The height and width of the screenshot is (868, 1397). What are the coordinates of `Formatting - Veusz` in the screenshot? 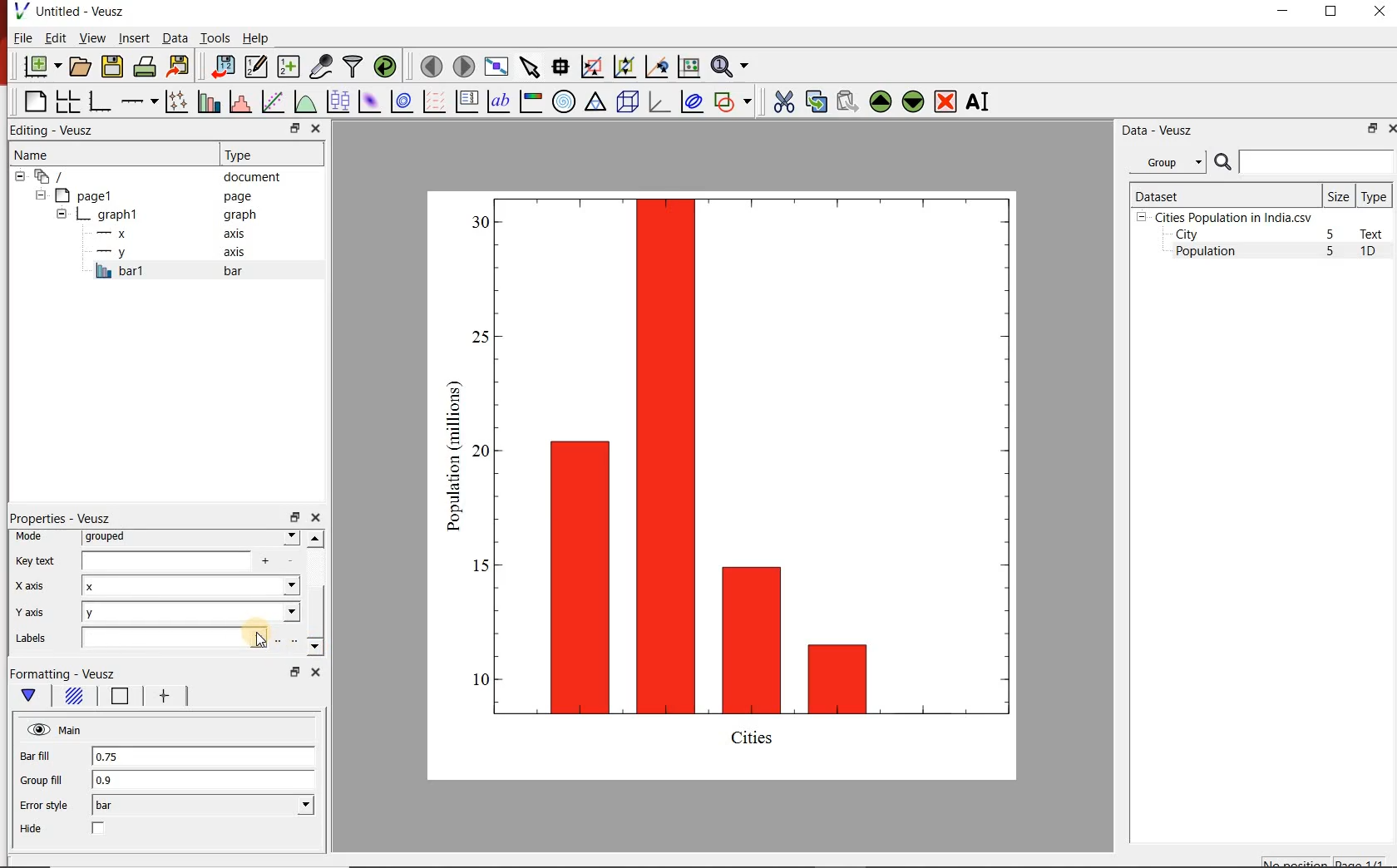 It's located at (64, 674).